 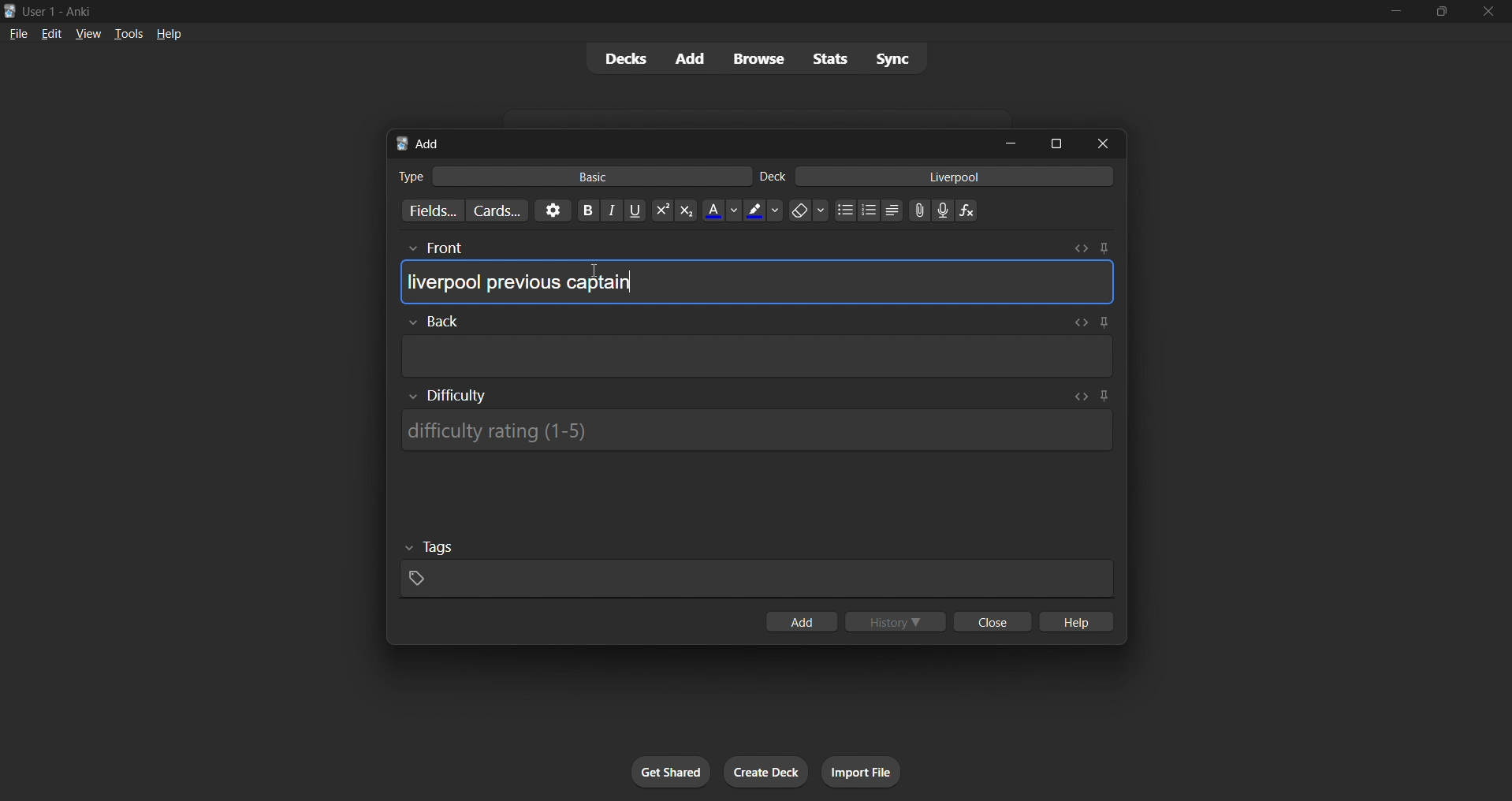 I want to click on card type input box, so click(x=565, y=173).